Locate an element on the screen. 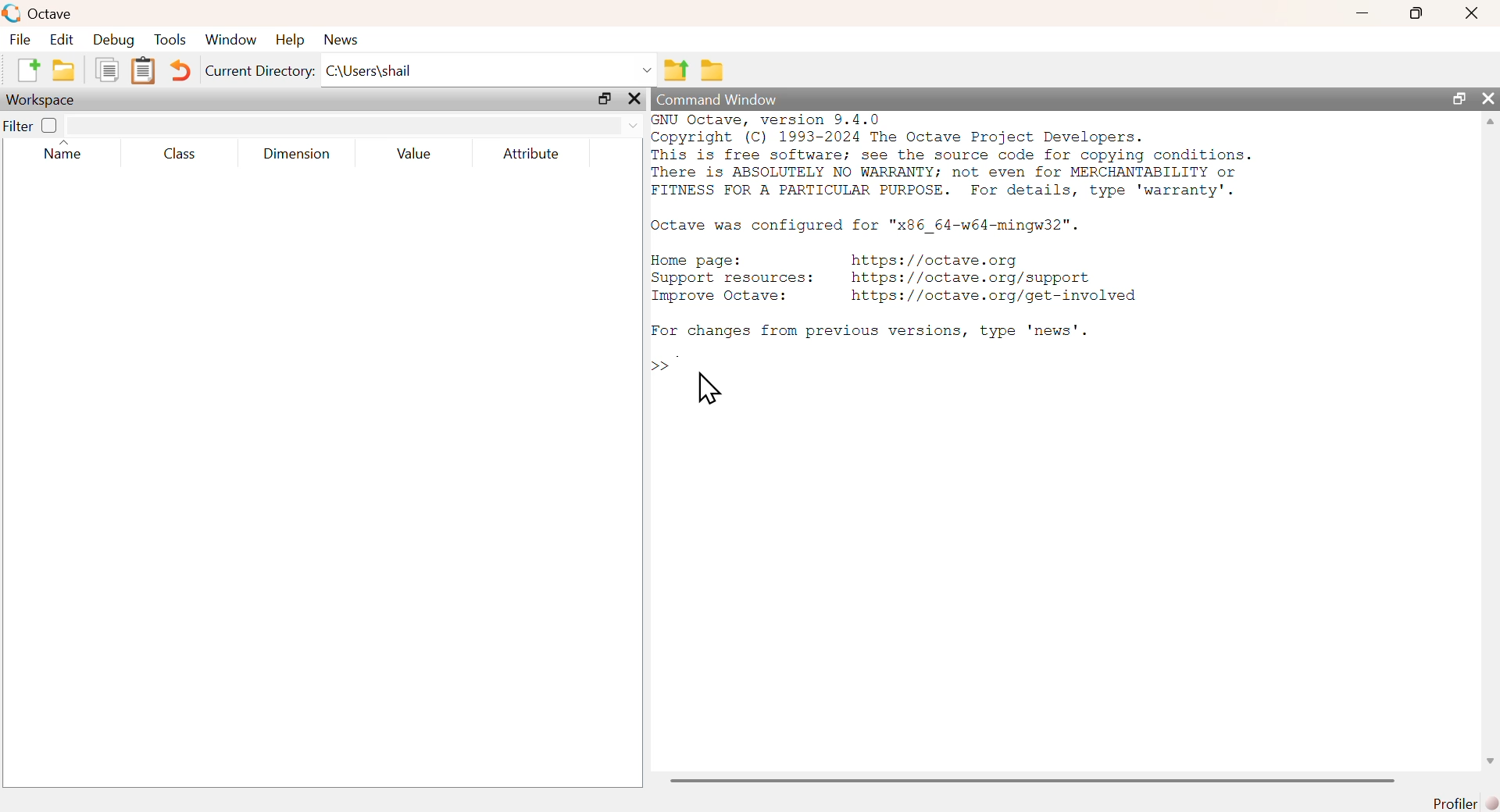  scrollbar is located at coordinates (1033, 781).